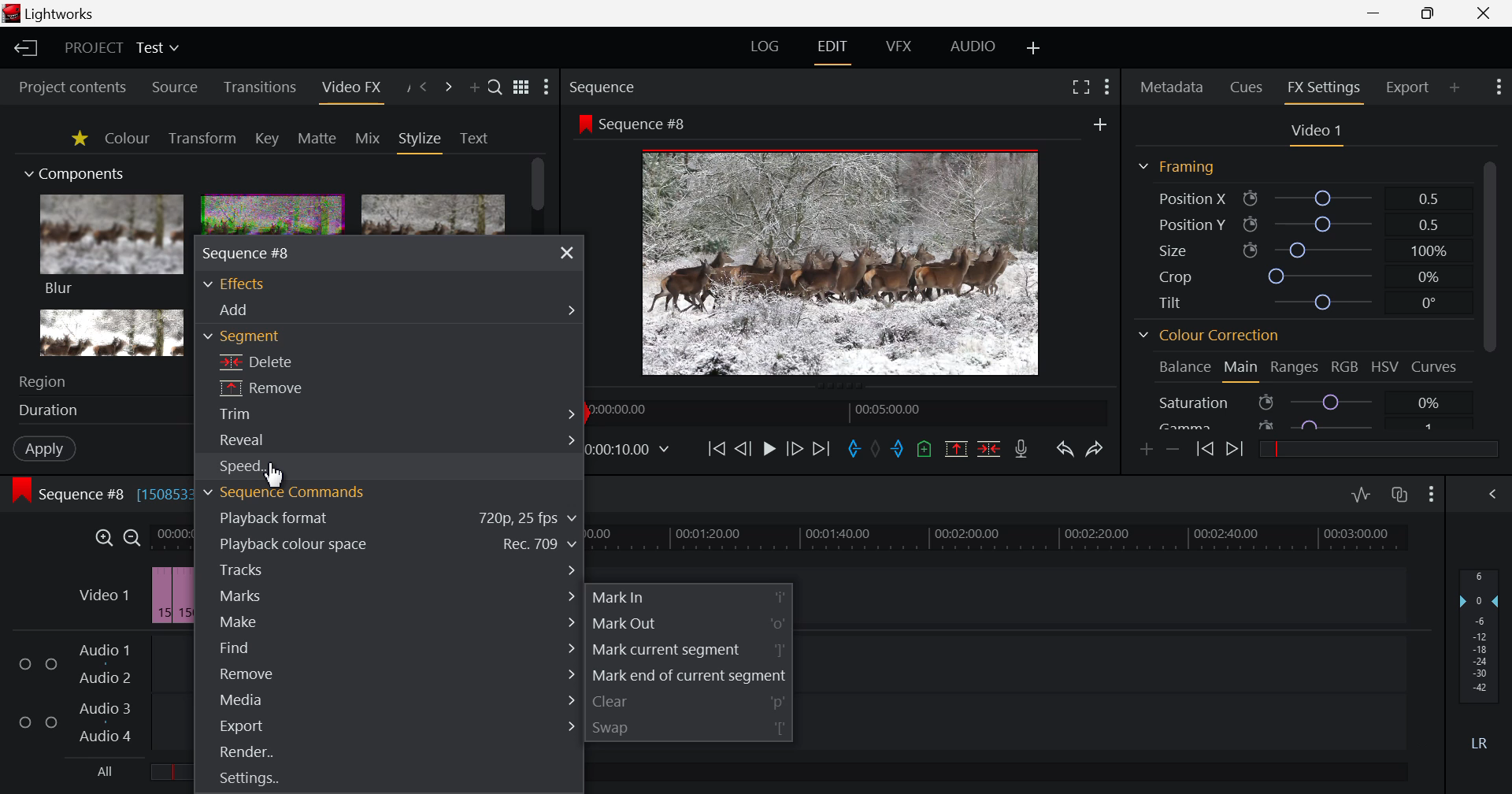 This screenshot has width=1512, height=794. What do you see at coordinates (258, 252) in the screenshot?
I see `Sequence #8 Menu` at bounding box center [258, 252].